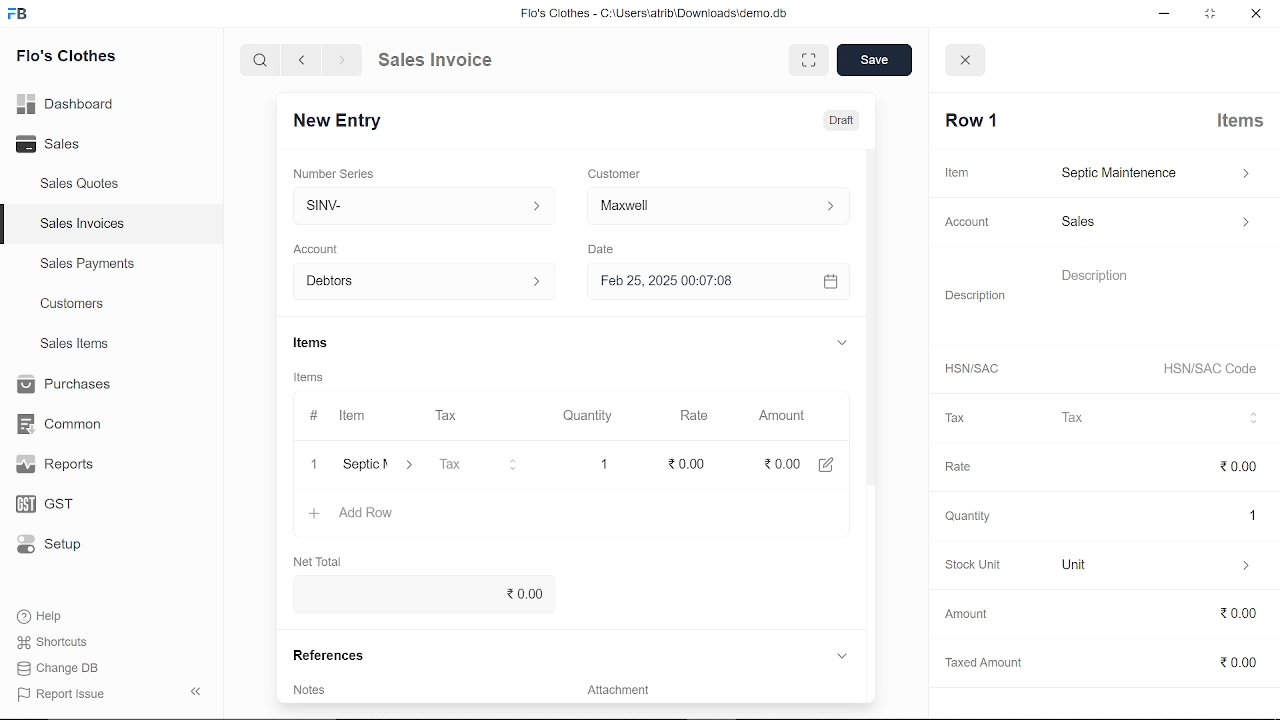 Image resolution: width=1280 pixels, height=720 pixels. What do you see at coordinates (54, 642) in the screenshot?
I see `Shortcuts` at bounding box center [54, 642].